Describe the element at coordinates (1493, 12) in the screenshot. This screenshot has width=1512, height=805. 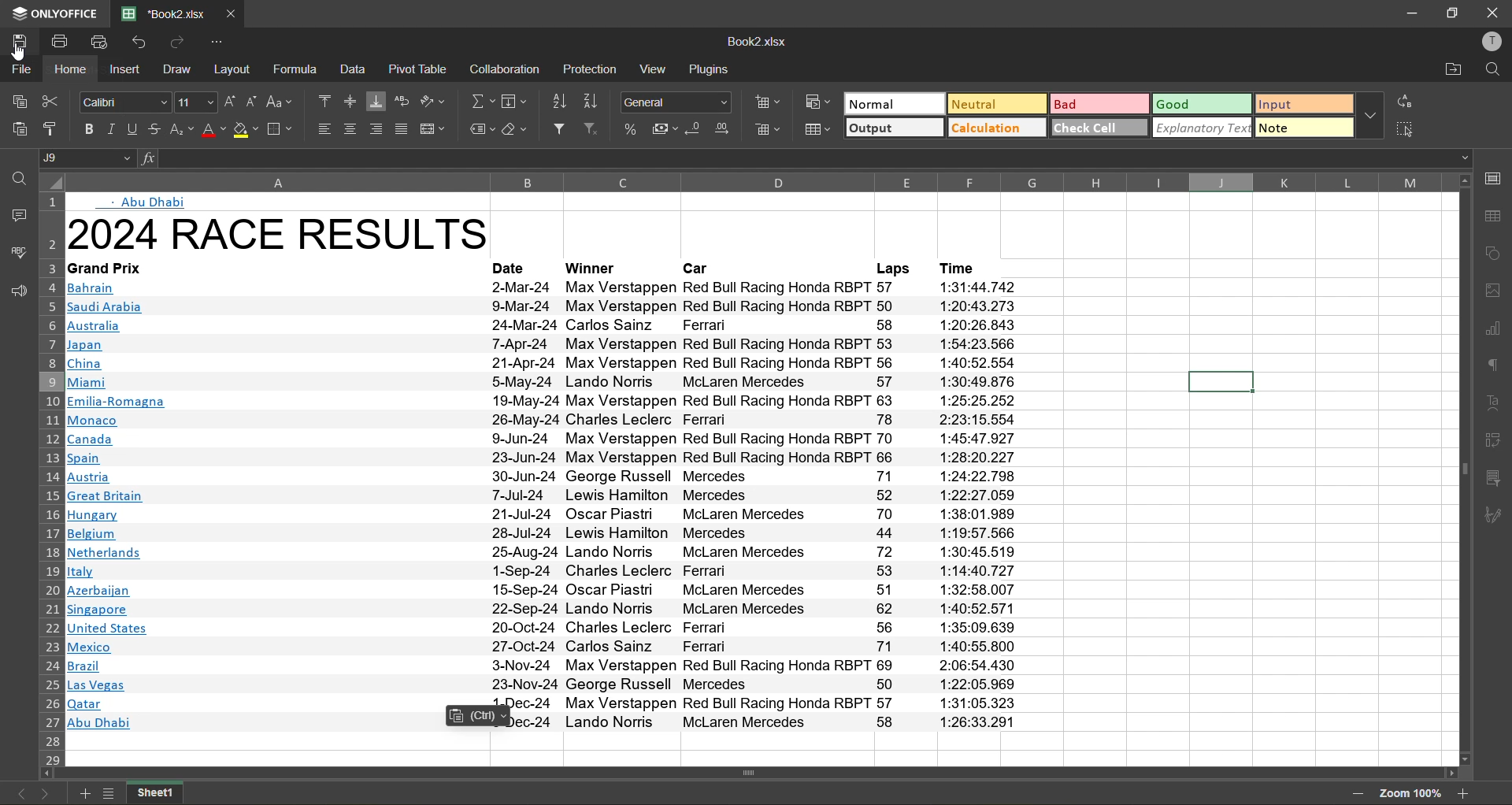
I see `close` at that location.